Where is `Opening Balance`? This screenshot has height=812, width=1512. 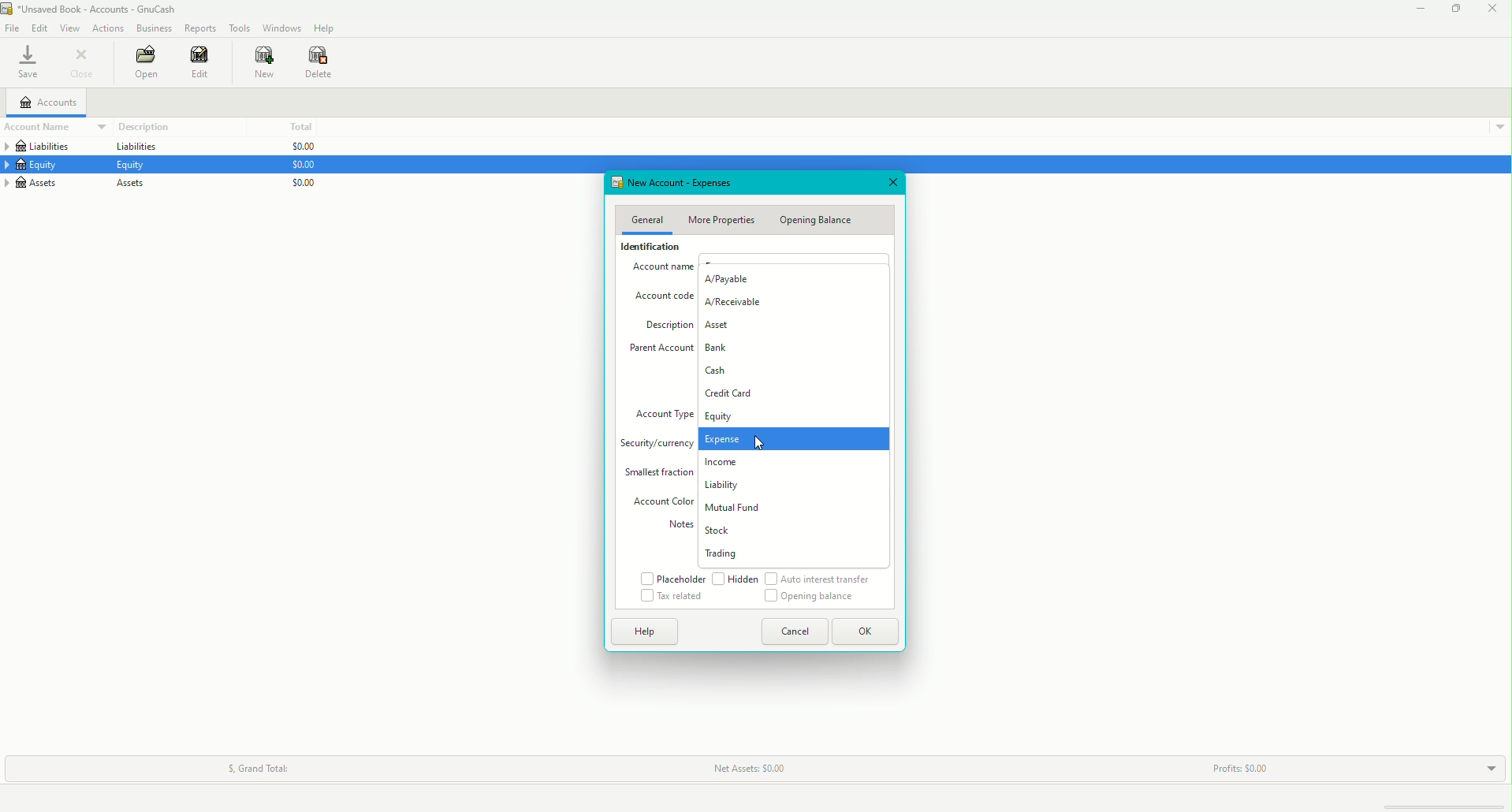 Opening Balance is located at coordinates (819, 222).